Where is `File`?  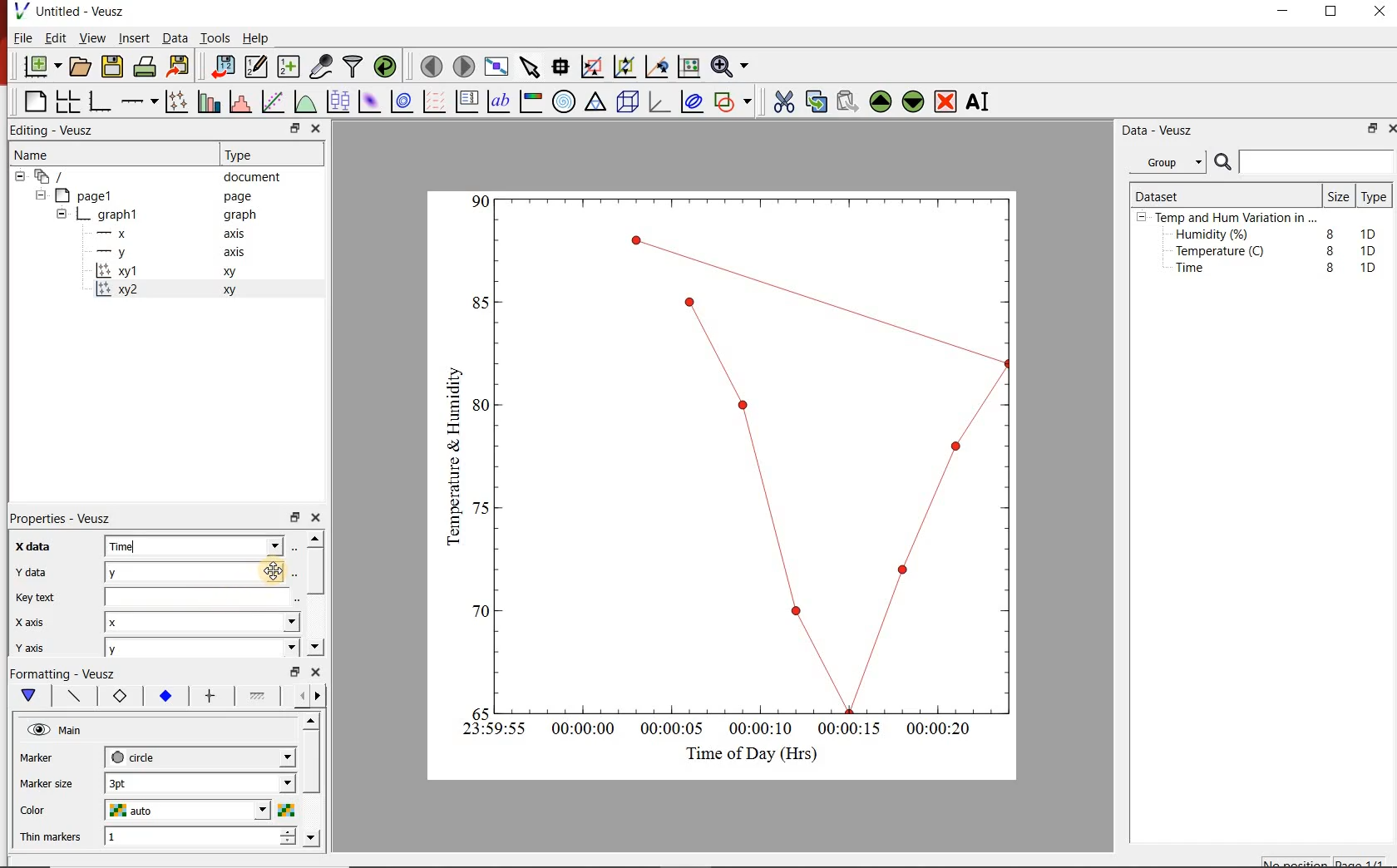 File is located at coordinates (19, 37).